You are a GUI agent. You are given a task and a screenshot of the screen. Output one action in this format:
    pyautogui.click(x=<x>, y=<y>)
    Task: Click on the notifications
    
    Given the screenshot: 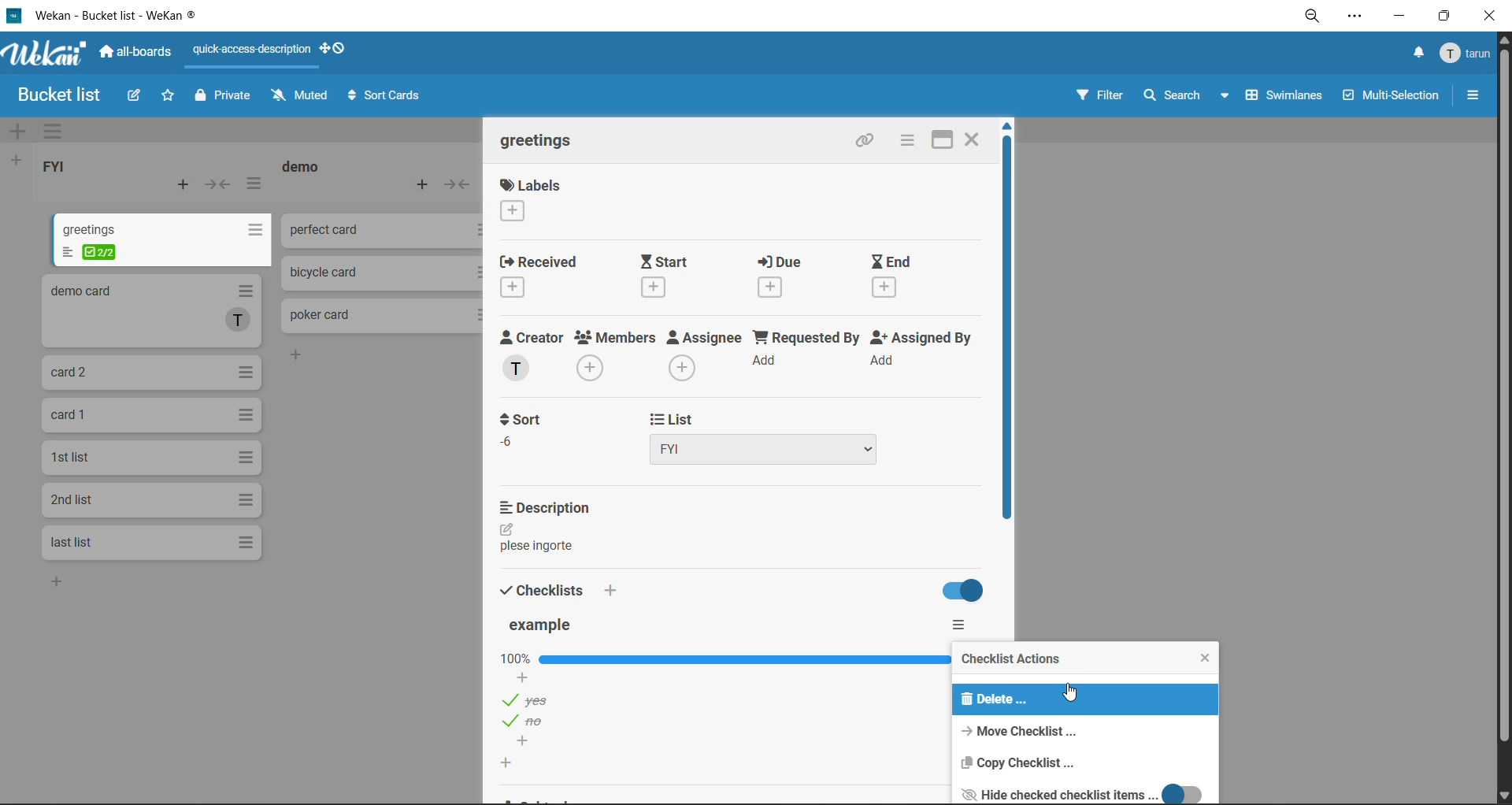 What is the action you would take?
    pyautogui.click(x=1417, y=52)
    